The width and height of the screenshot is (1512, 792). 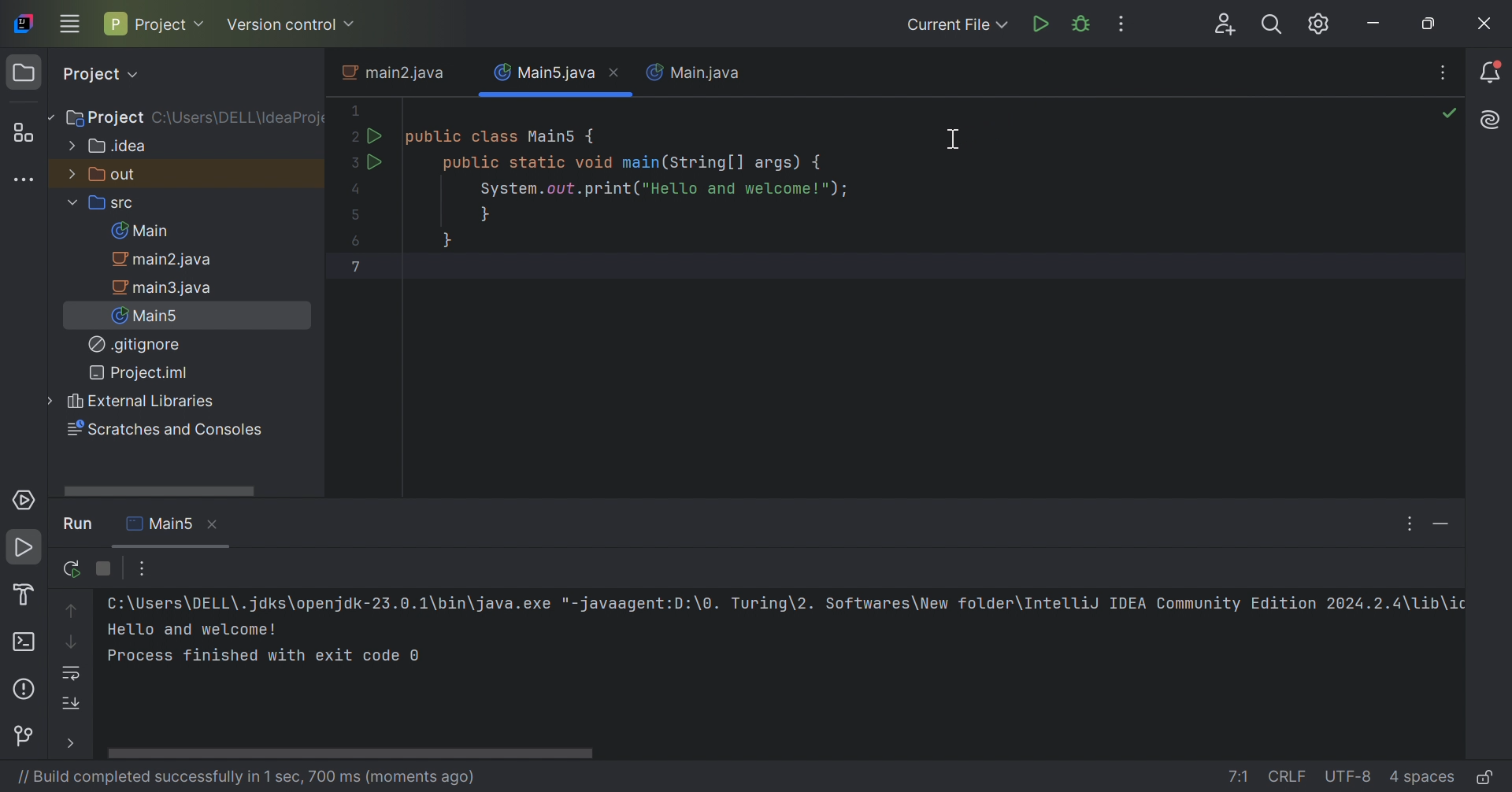 I want to click on Project, so click(x=98, y=74).